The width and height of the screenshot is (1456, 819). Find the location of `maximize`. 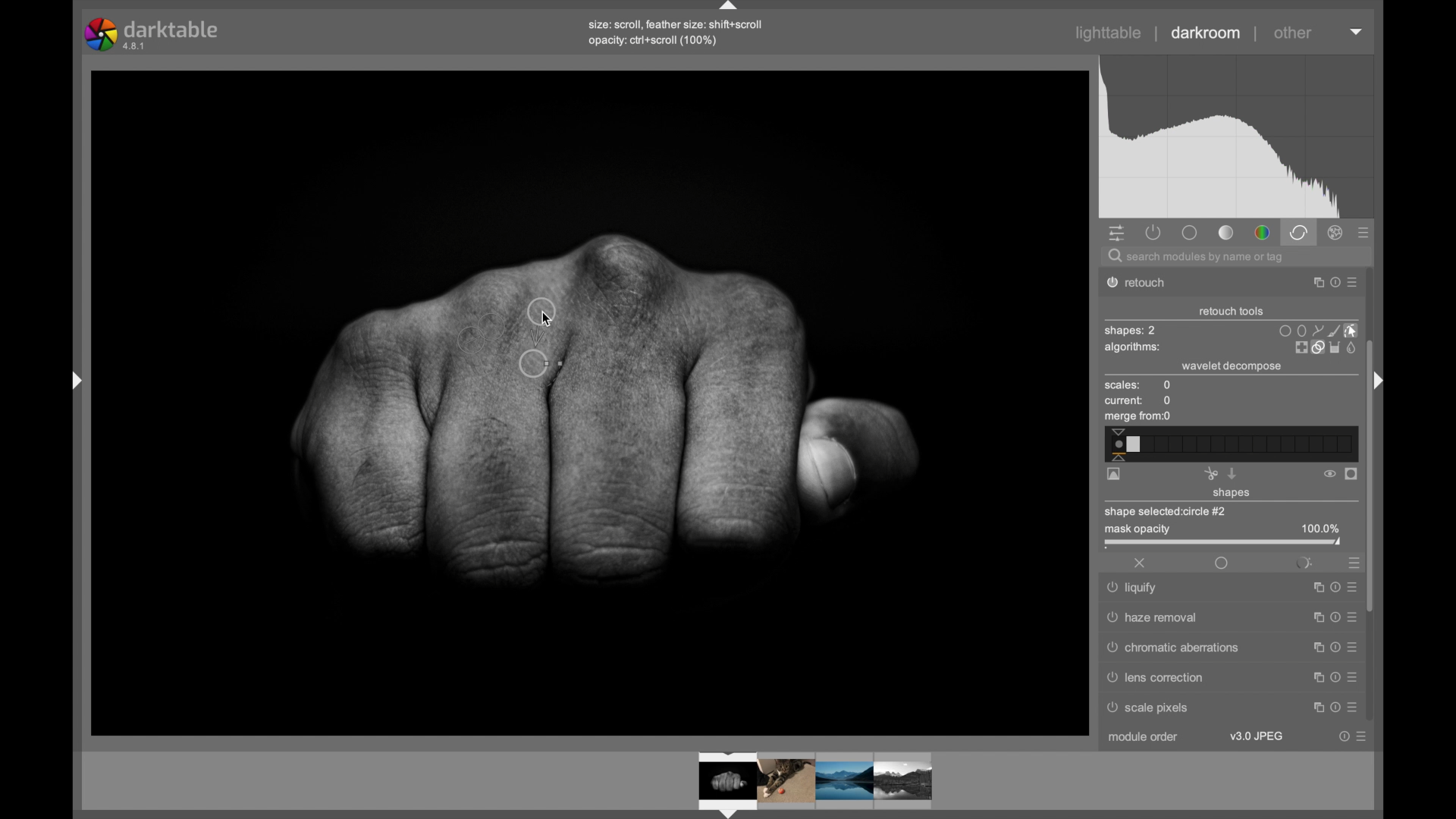

maximize is located at coordinates (1313, 617).